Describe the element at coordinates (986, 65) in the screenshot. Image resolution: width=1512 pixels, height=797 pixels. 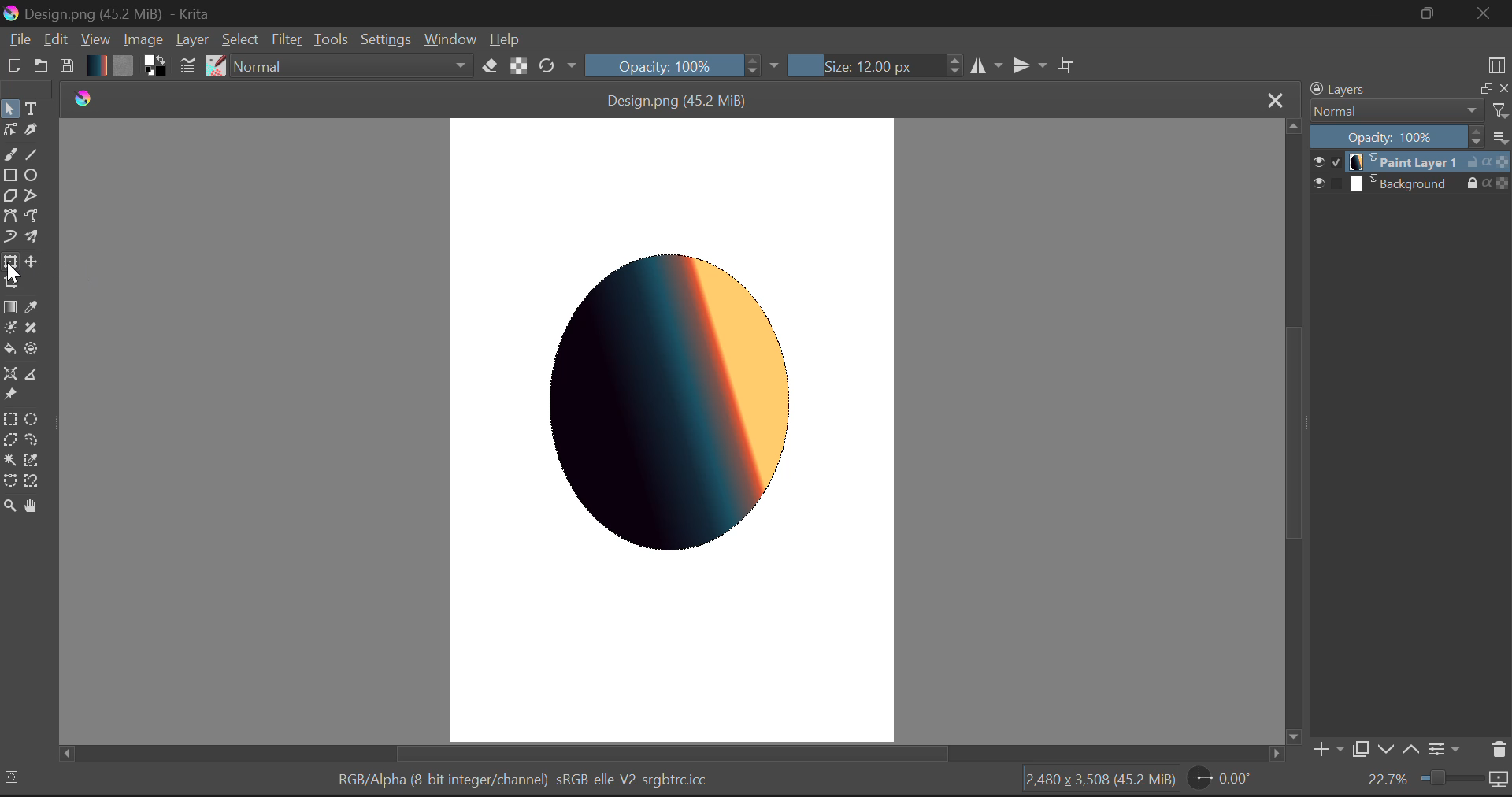
I see `Vertical Mirror Flip` at that location.